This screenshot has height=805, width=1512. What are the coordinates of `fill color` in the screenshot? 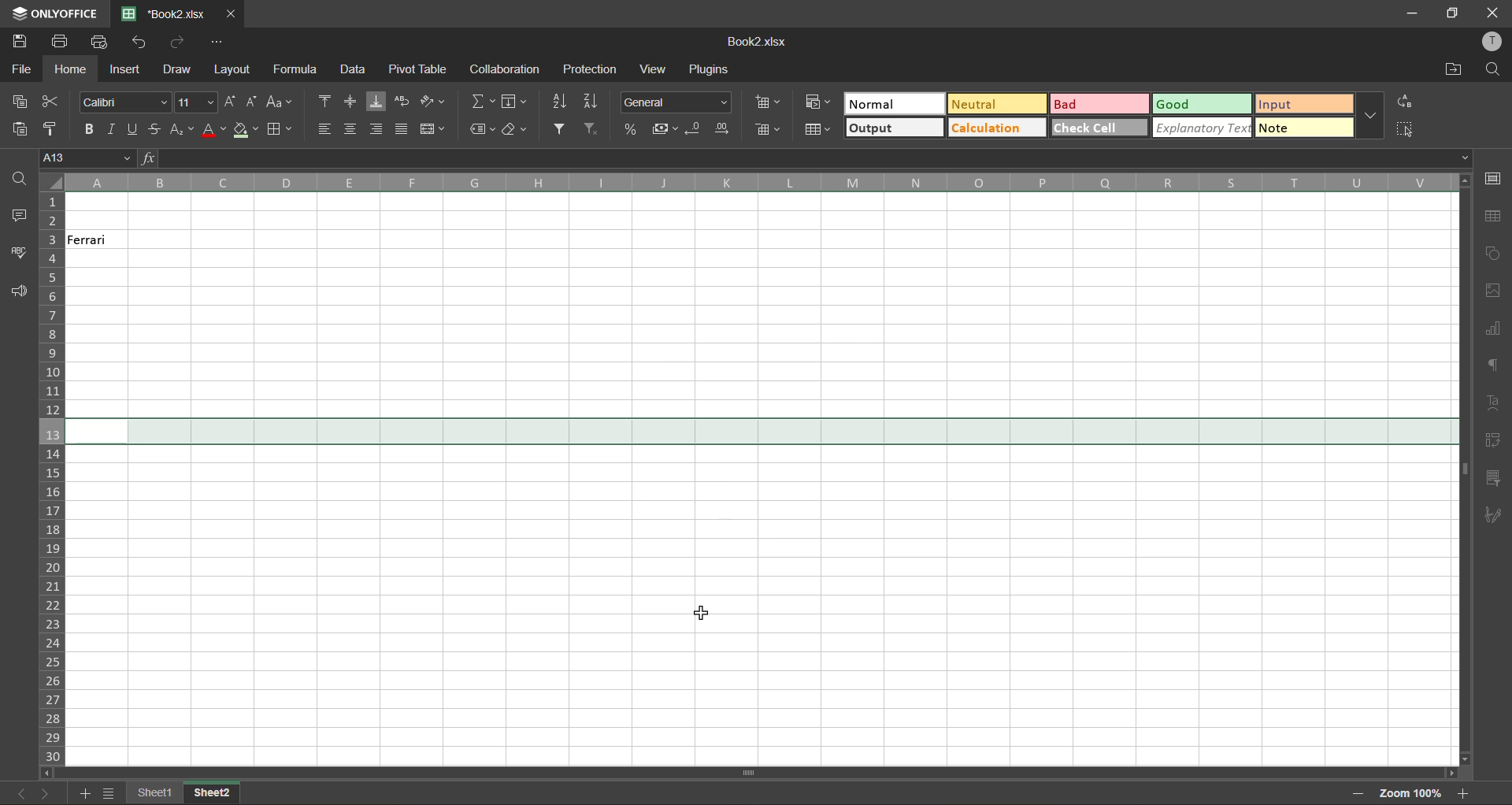 It's located at (244, 131).